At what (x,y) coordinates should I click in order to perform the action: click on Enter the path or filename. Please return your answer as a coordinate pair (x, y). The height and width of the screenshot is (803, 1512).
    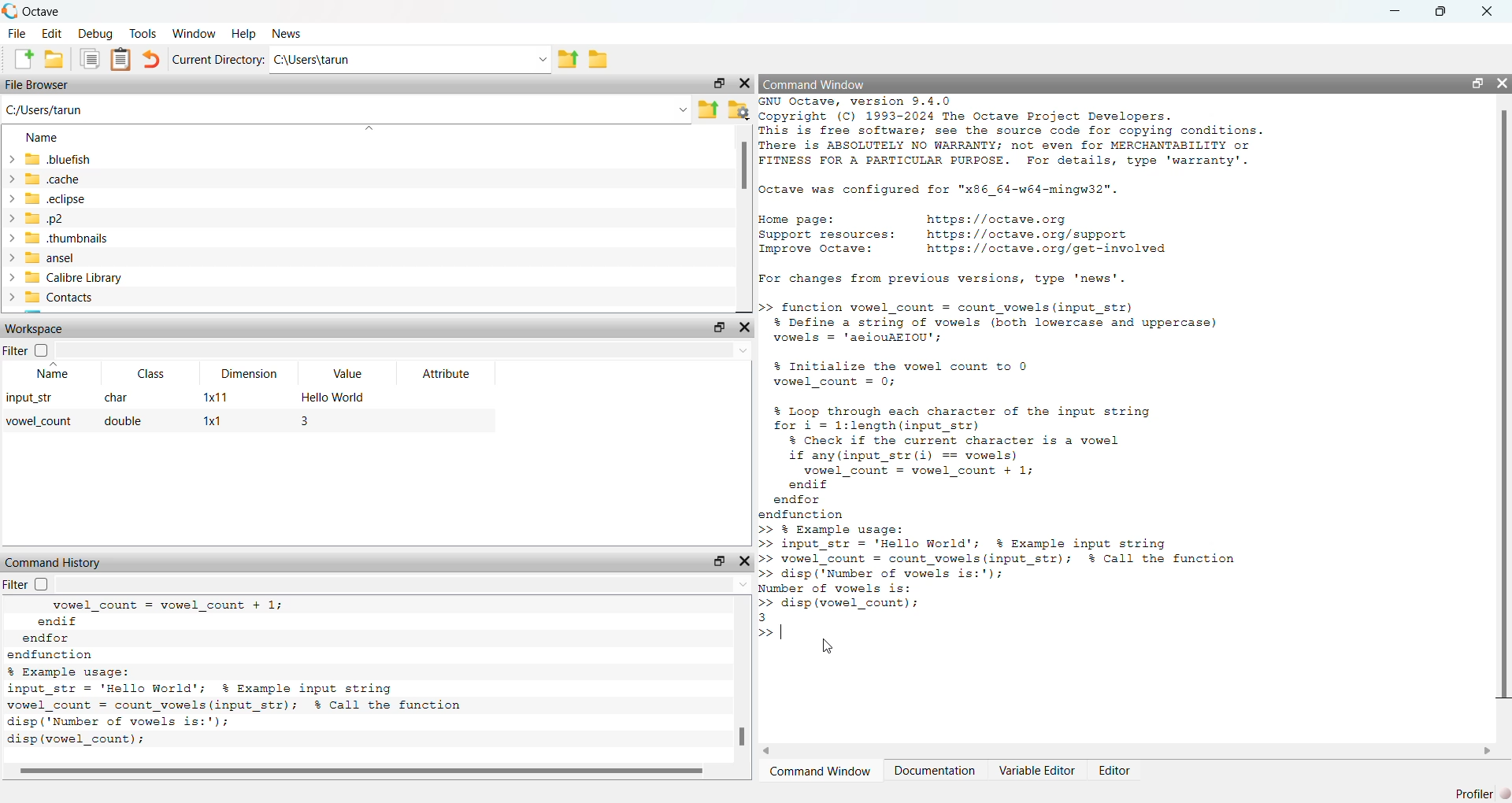
    Looking at the image, I should click on (683, 109).